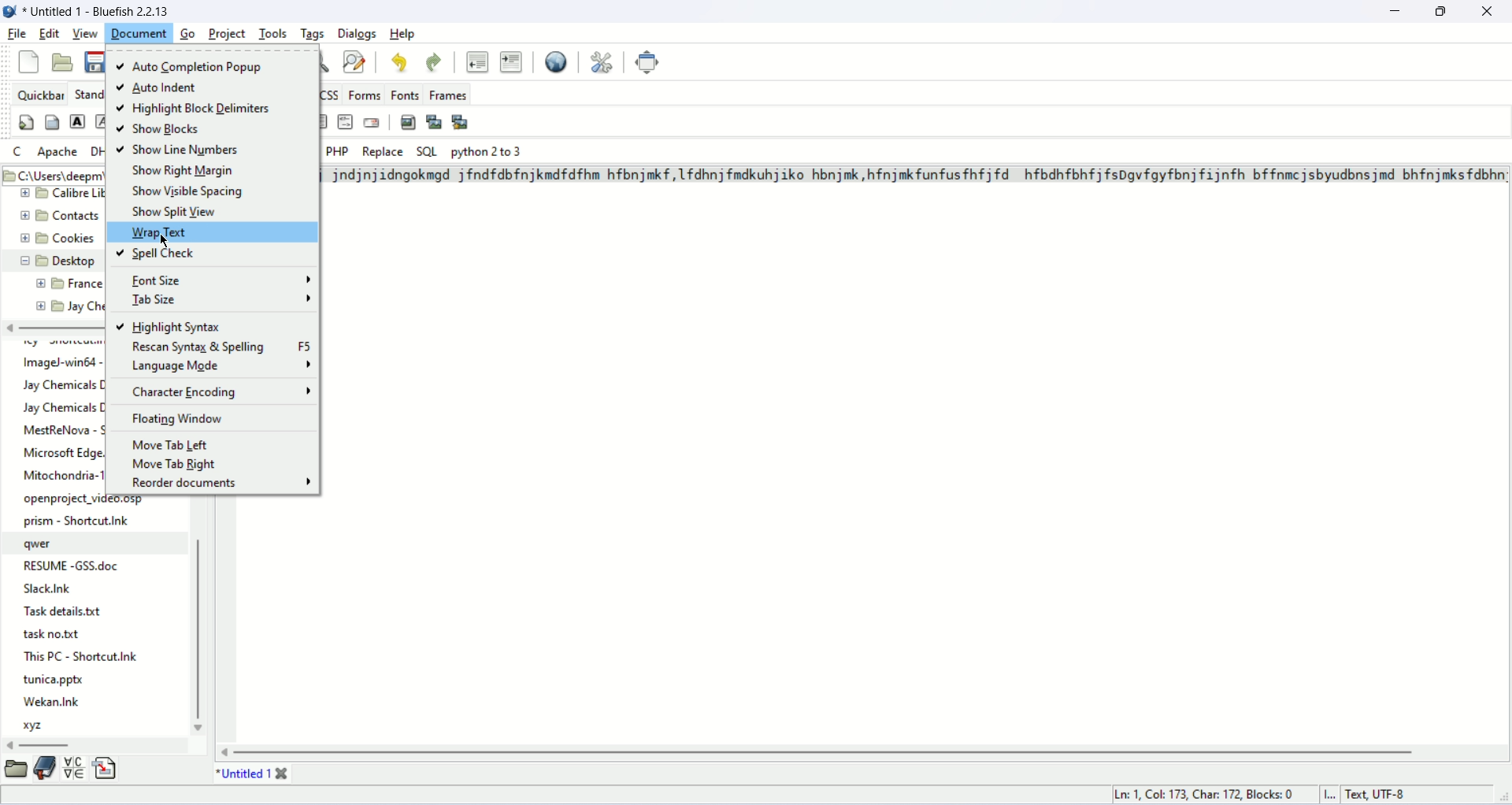 Image resolution: width=1512 pixels, height=805 pixels. Describe the element at coordinates (63, 60) in the screenshot. I see `open` at that location.